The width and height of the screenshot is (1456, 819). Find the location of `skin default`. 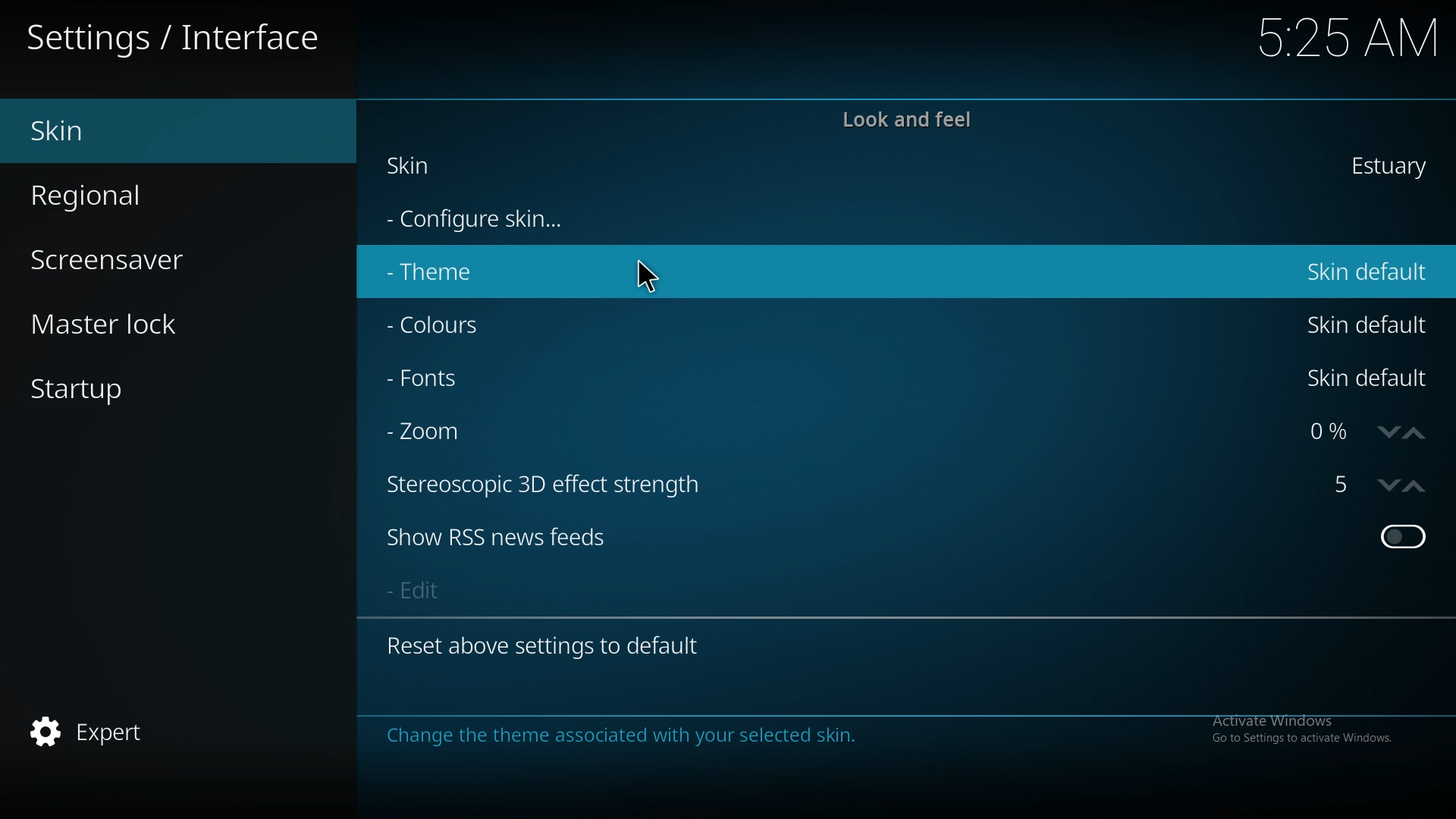

skin default is located at coordinates (1370, 378).